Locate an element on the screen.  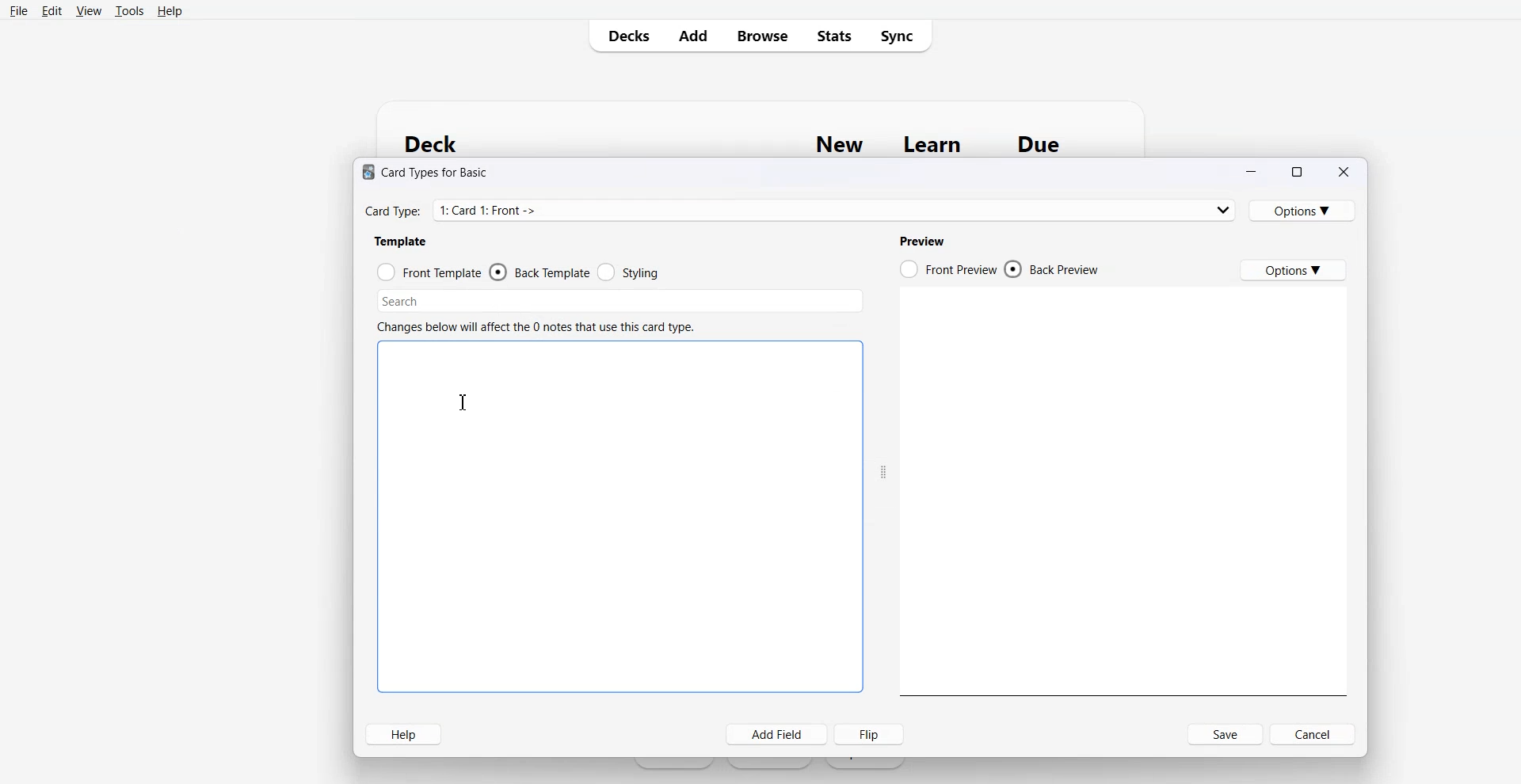
® Card Types for Basic is located at coordinates (429, 173).